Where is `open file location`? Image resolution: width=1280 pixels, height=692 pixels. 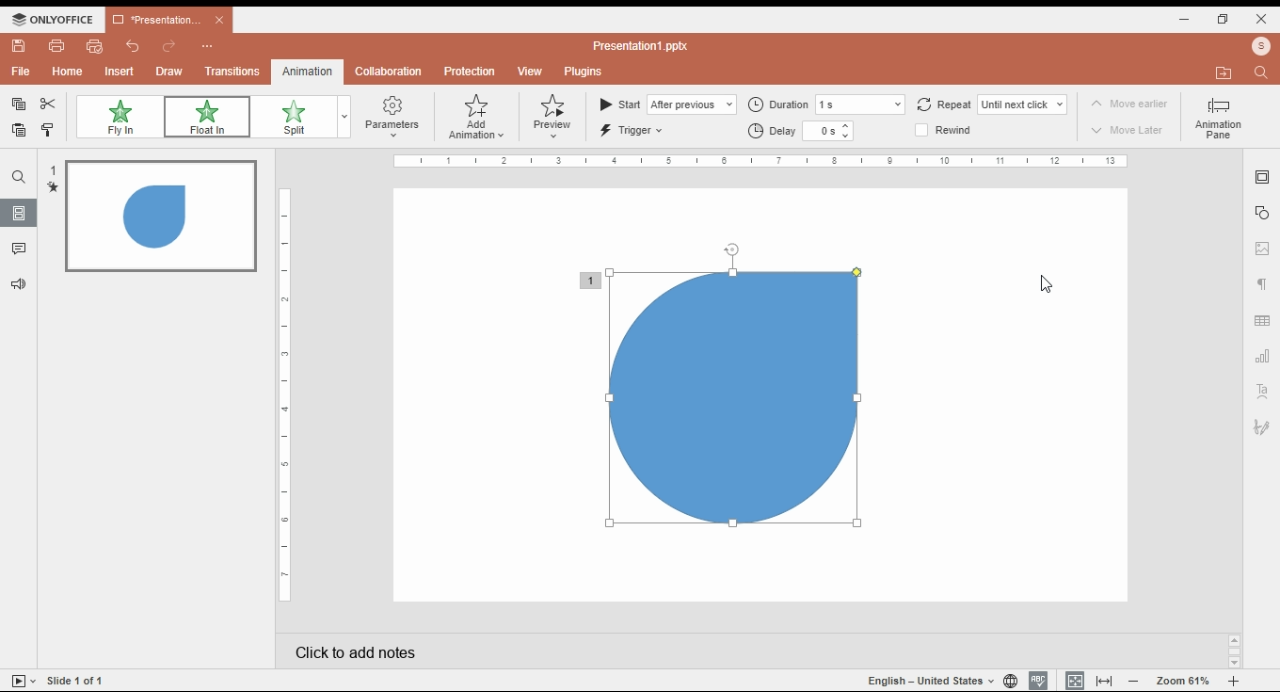 open file location is located at coordinates (1261, 47).